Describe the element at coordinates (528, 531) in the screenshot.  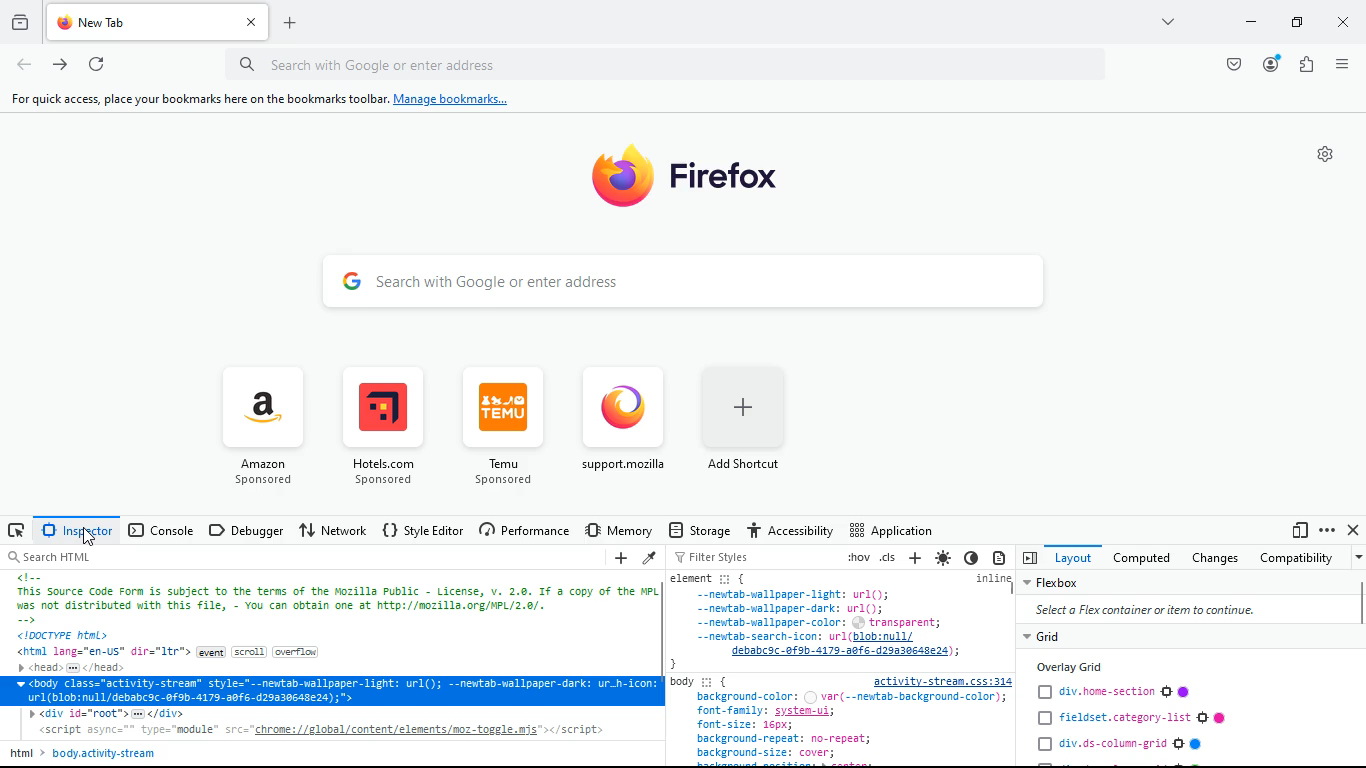
I see `performance` at that location.